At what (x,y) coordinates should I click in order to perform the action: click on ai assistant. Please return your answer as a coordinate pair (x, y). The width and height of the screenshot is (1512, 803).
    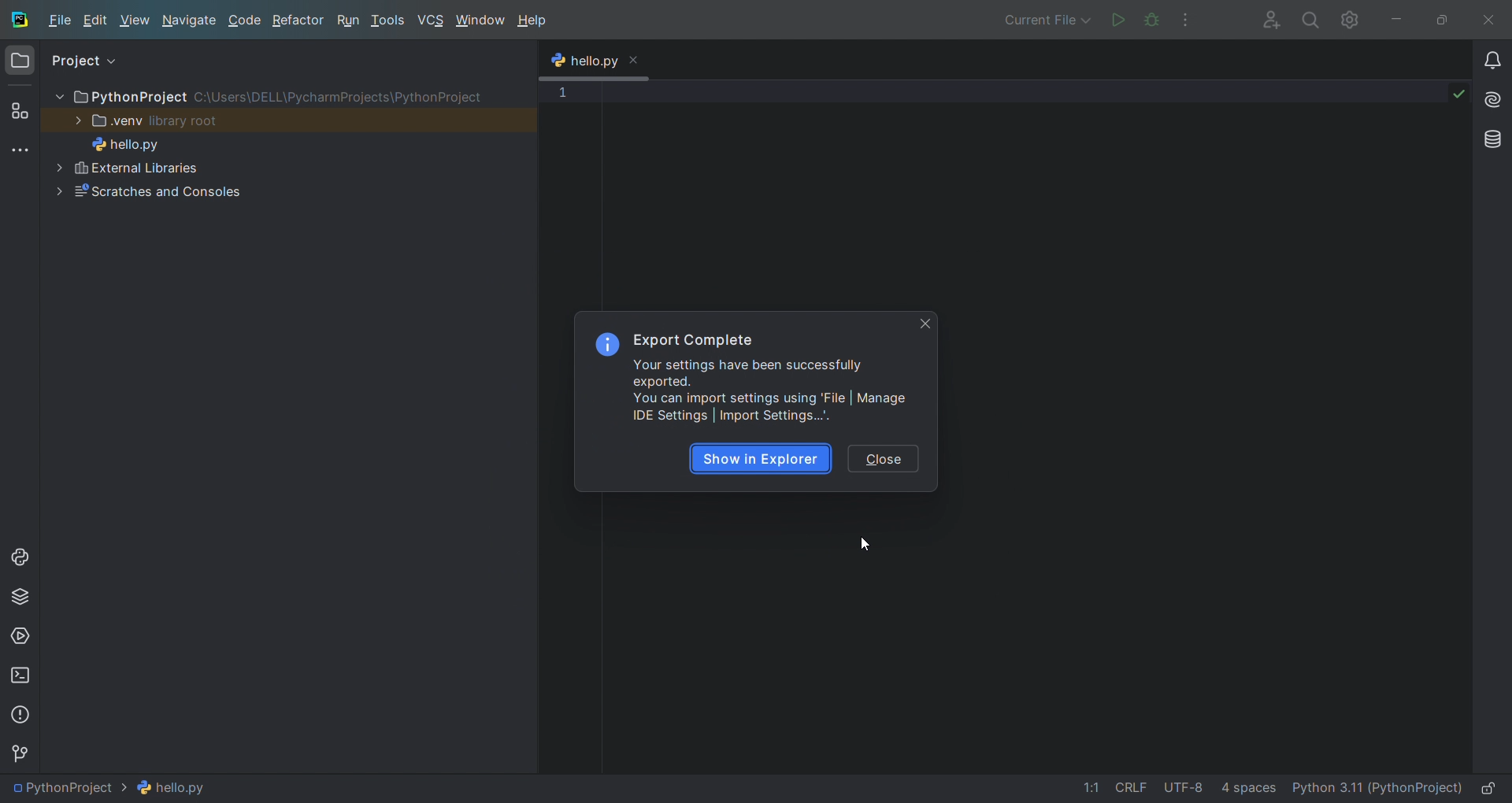
    Looking at the image, I should click on (1492, 100).